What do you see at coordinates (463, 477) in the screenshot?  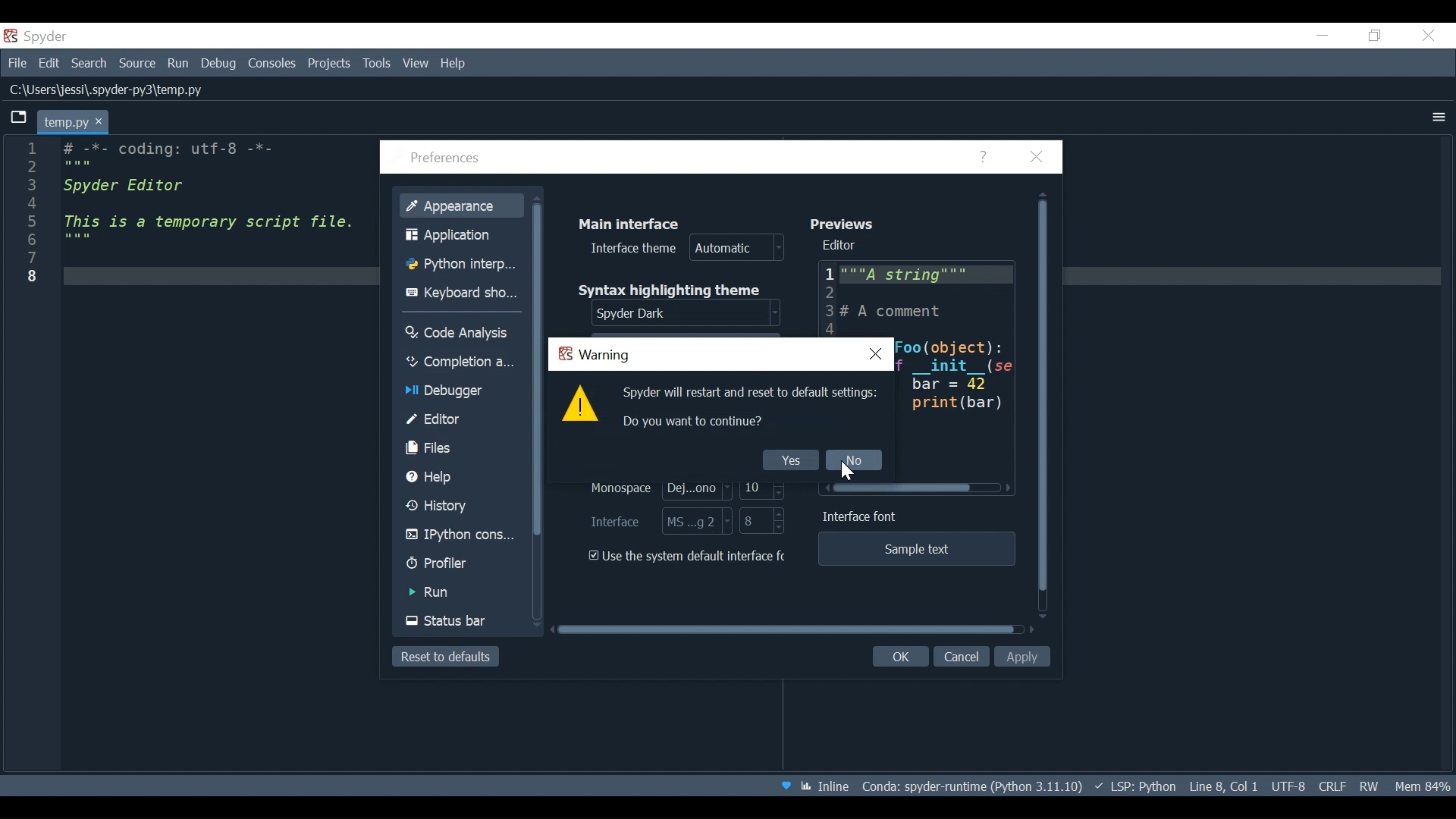 I see `Help` at bounding box center [463, 477].